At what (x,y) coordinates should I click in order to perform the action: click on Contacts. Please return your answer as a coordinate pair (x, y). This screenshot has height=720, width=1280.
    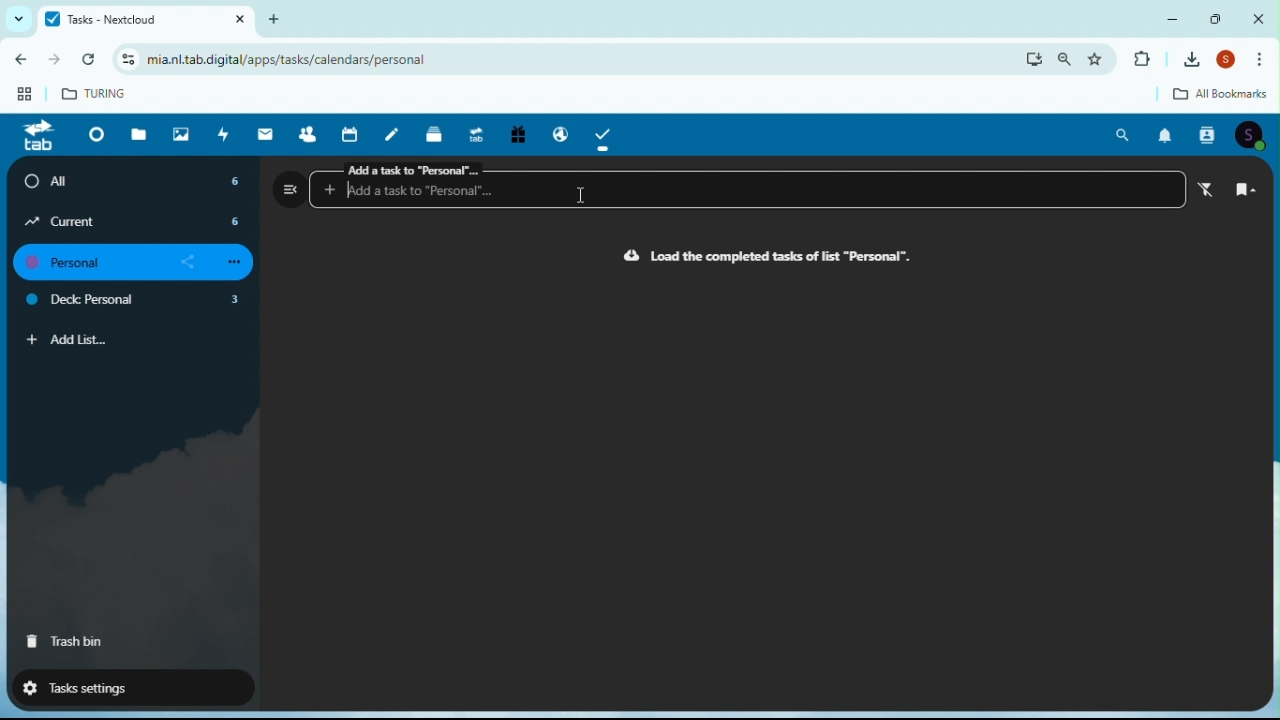
    Looking at the image, I should click on (1209, 135).